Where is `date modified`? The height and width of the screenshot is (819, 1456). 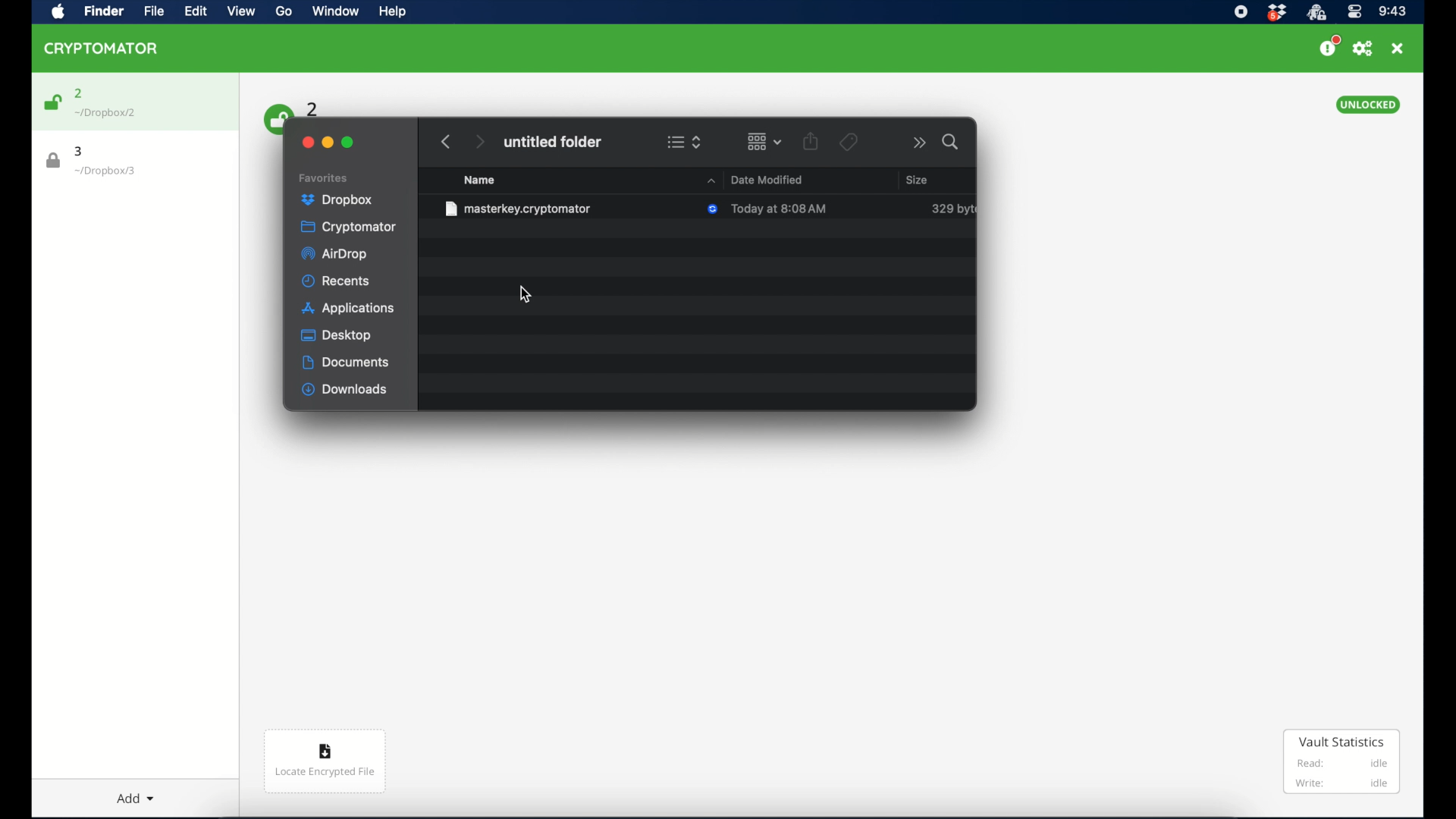
date modified is located at coordinates (752, 179).